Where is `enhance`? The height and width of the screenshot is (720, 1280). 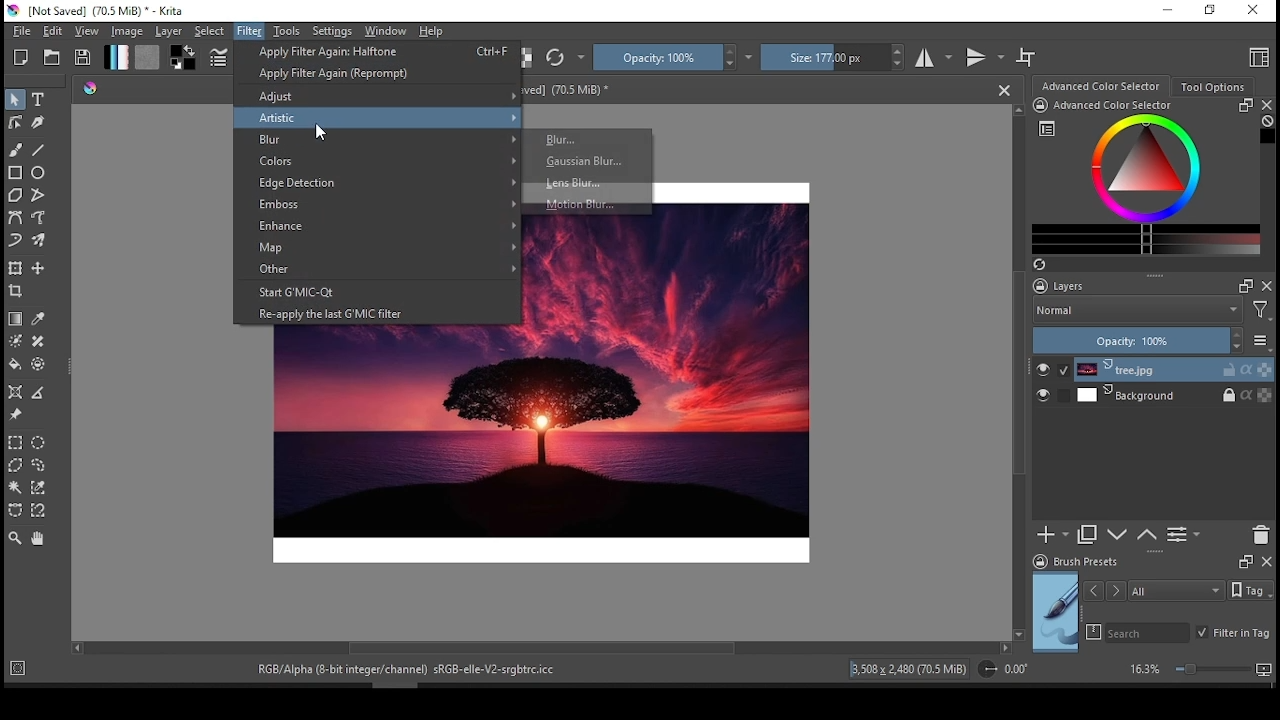
enhance is located at coordinates (378, 224).